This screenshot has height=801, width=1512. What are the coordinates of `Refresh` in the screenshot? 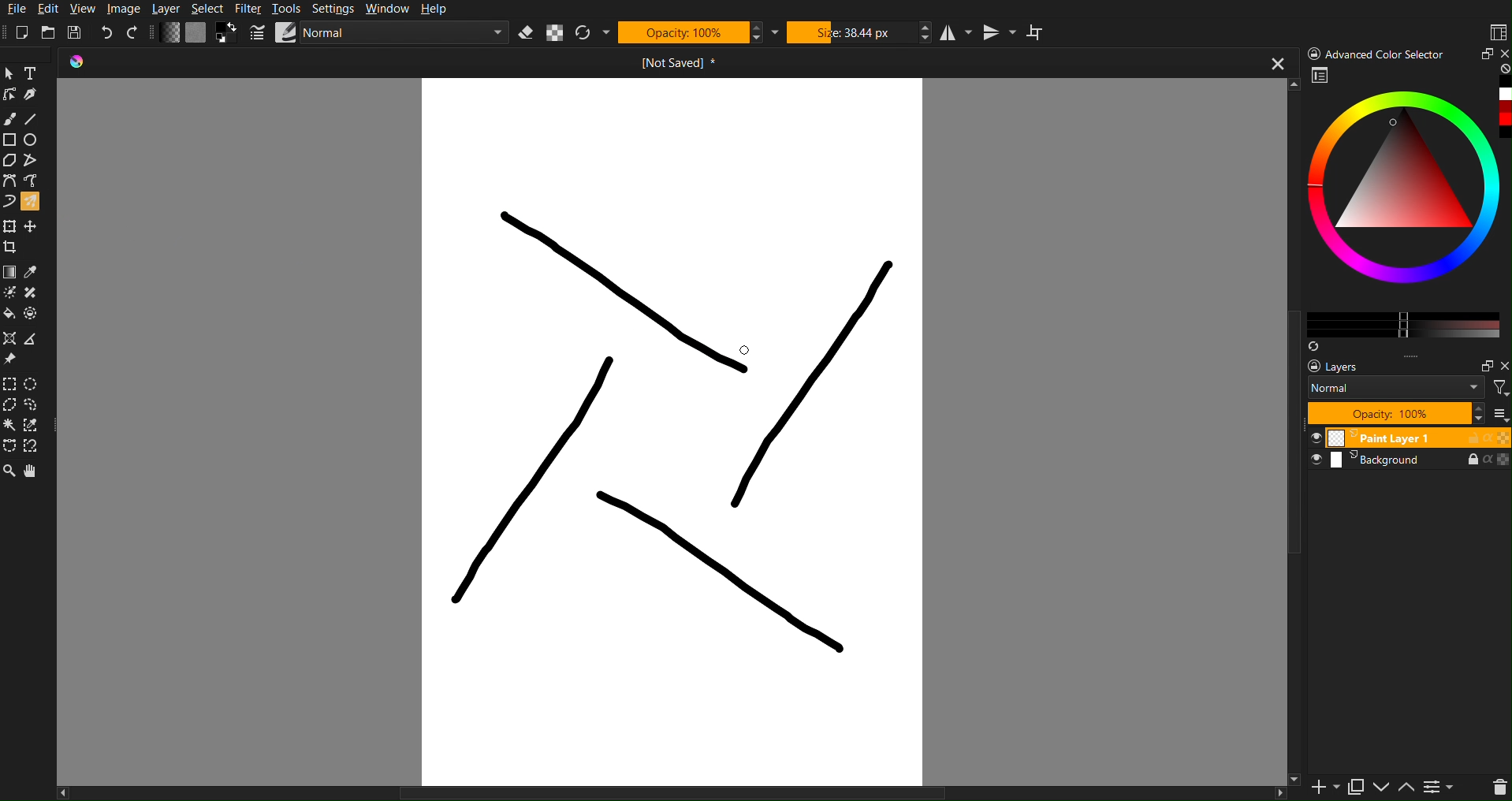 It's located at (590, 33).